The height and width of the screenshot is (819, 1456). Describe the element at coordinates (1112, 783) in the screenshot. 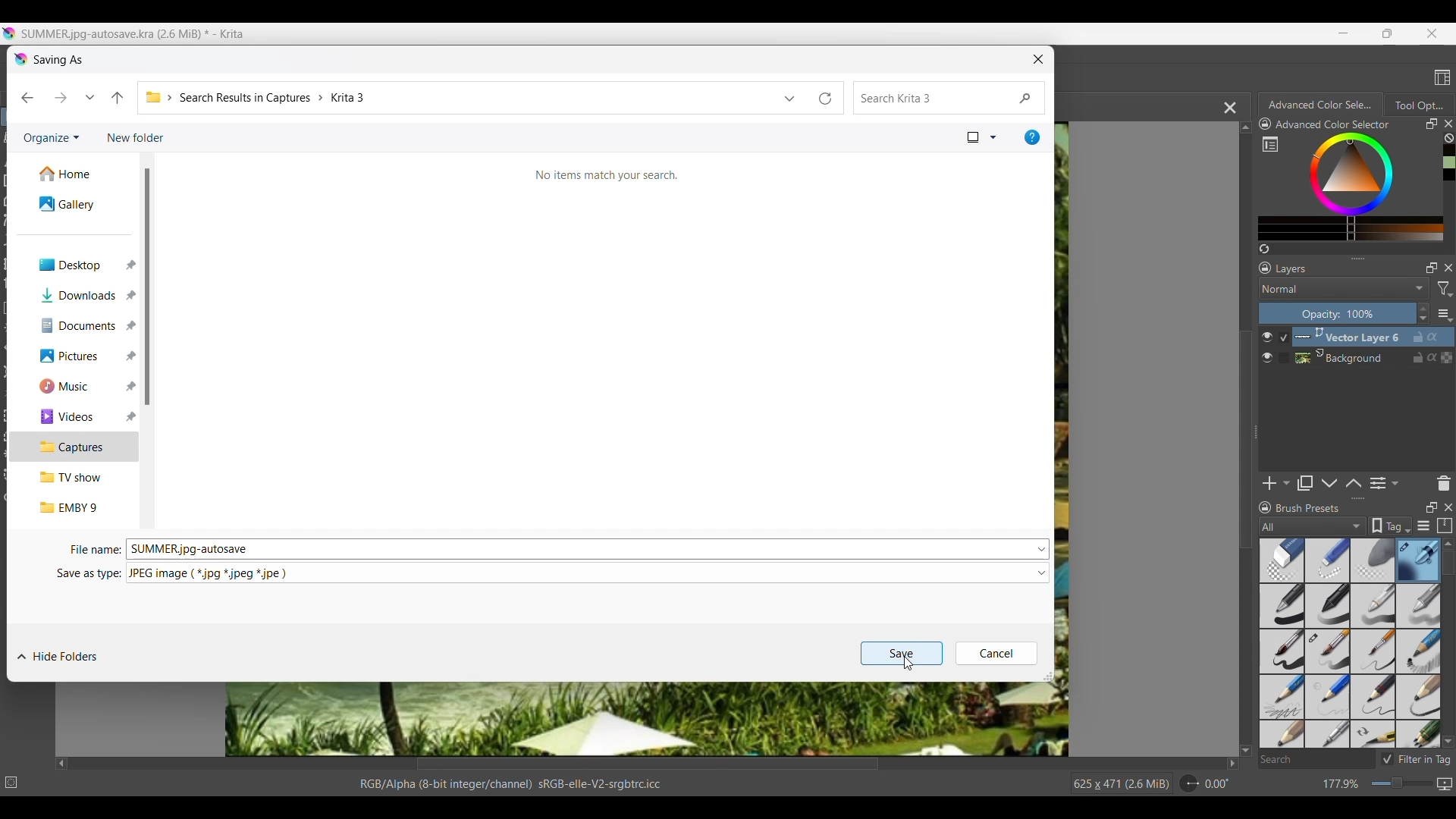

I see `625 x 471 (26 MiB)` at that location.